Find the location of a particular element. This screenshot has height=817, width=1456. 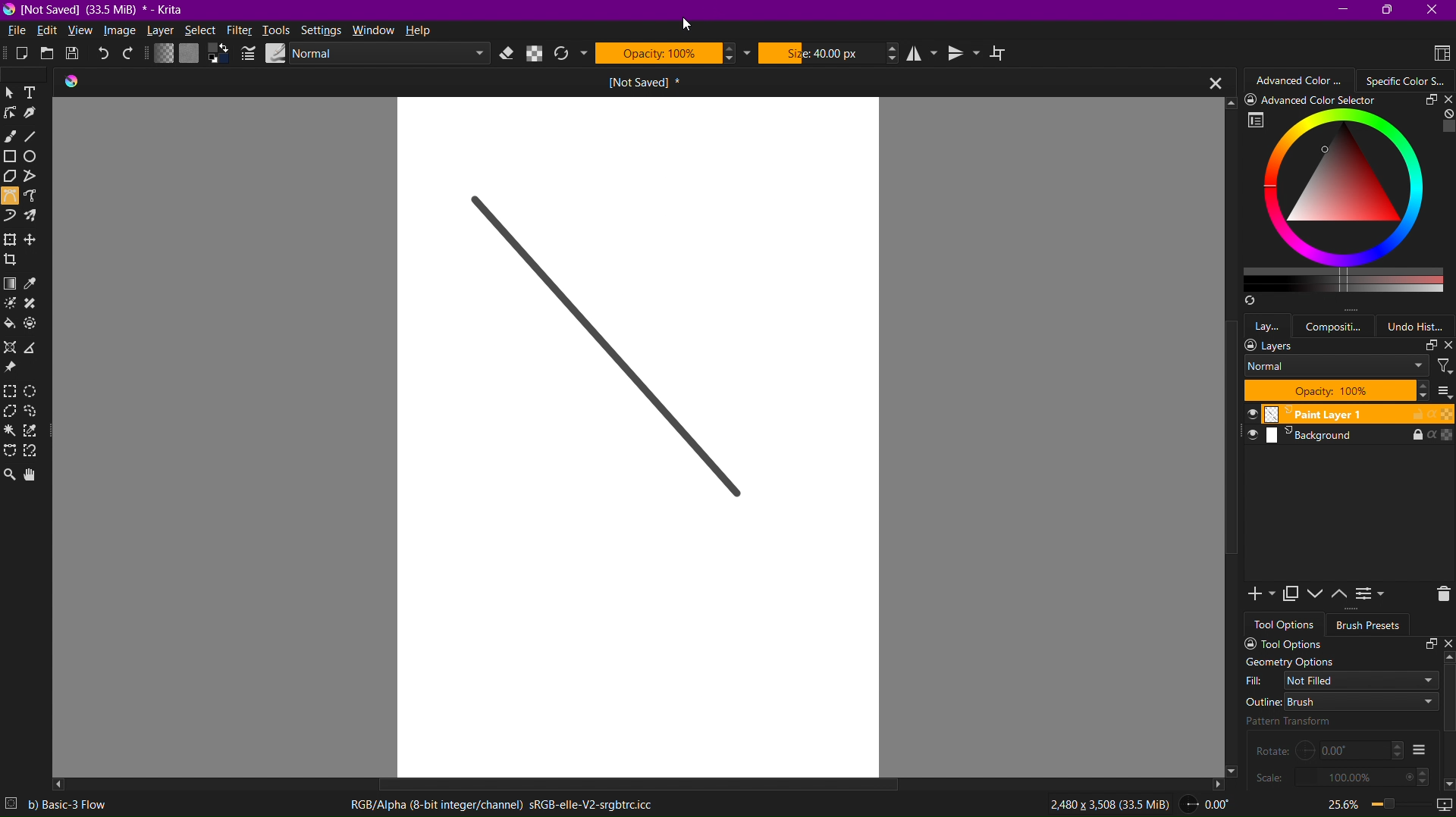

Preserve Alpha is located at coordinates (535, 54).